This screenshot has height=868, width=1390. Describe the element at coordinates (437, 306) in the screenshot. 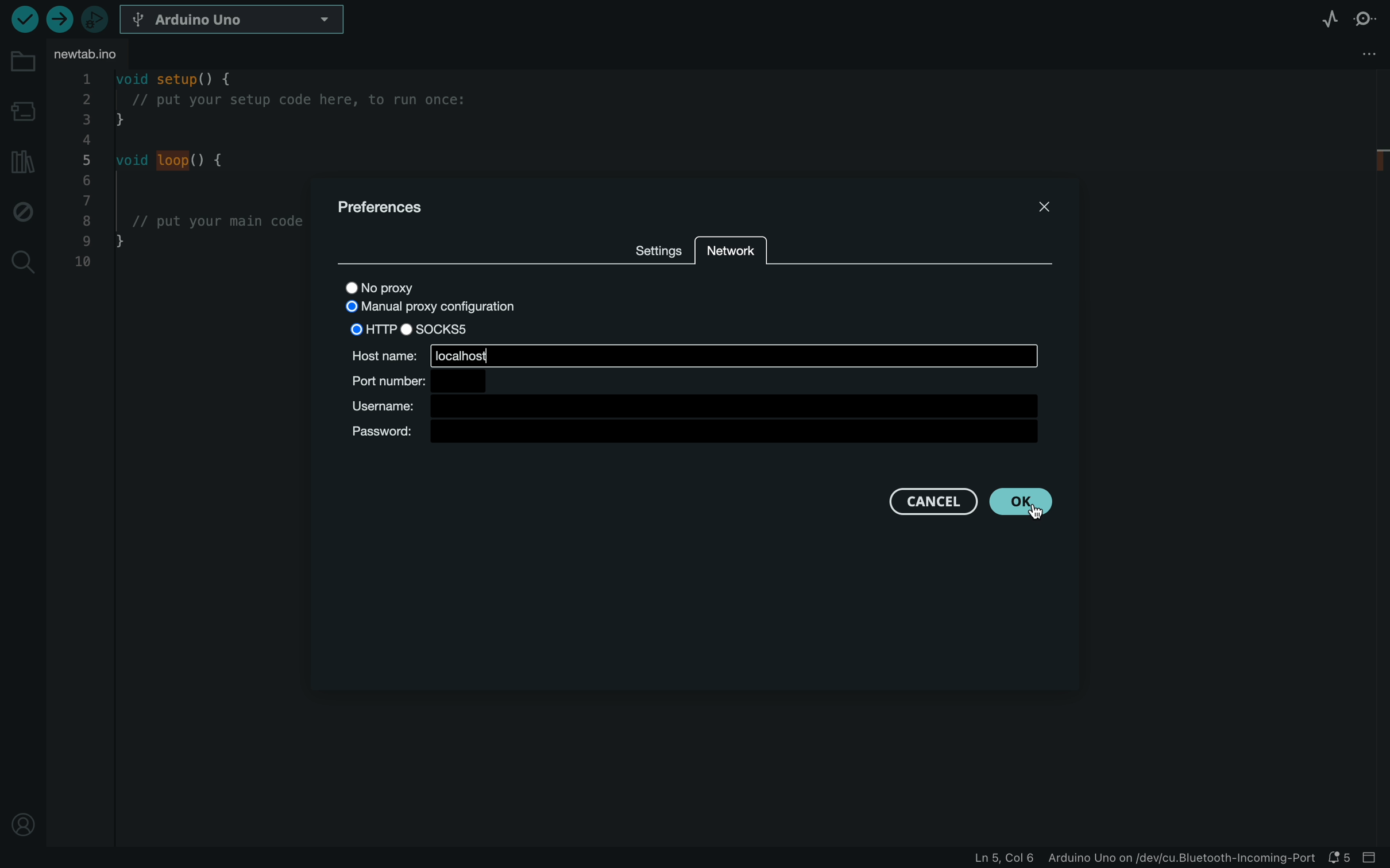

I see `MANUAL PROXY` at that location.